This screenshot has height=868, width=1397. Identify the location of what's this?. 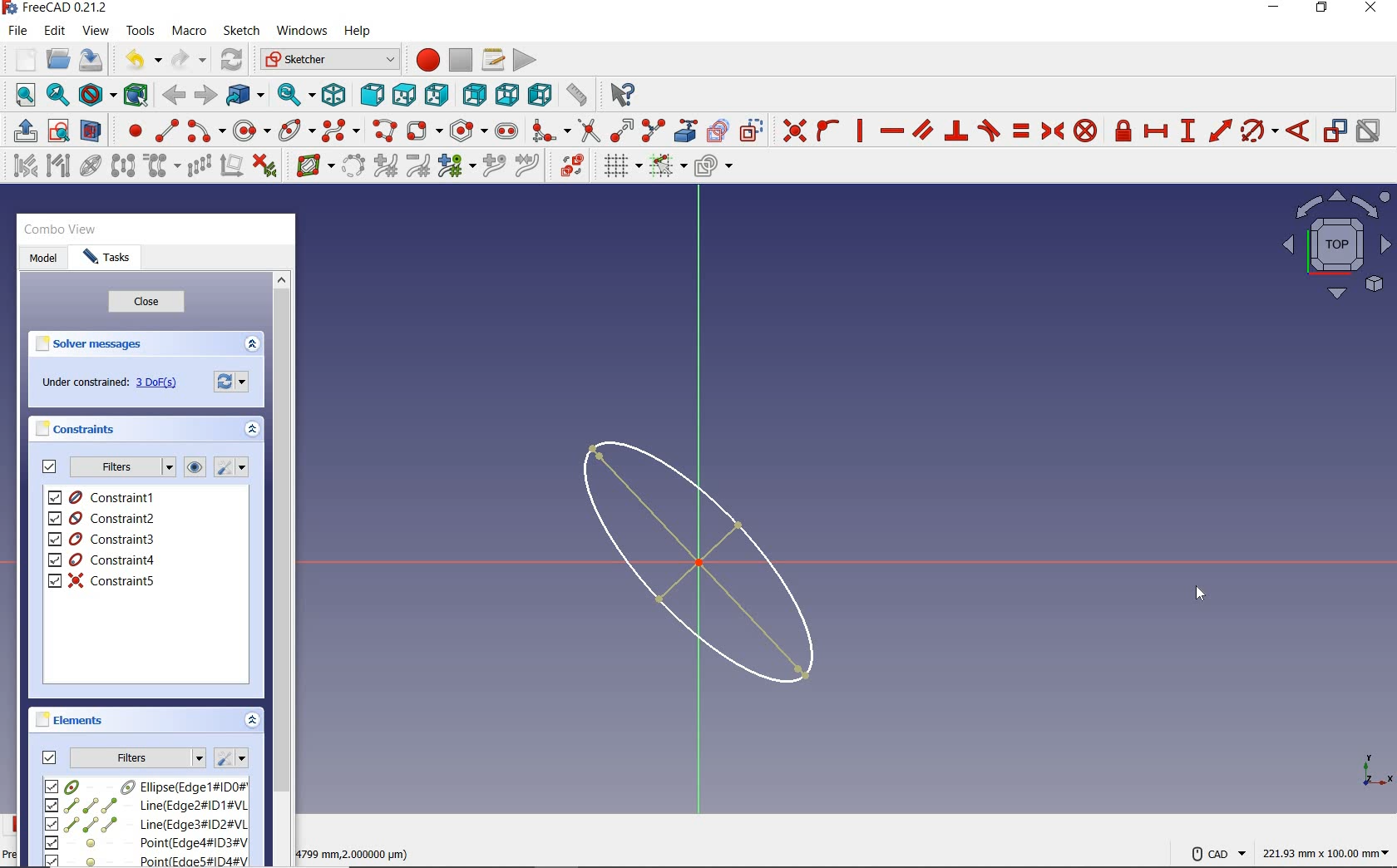
(620, 91).